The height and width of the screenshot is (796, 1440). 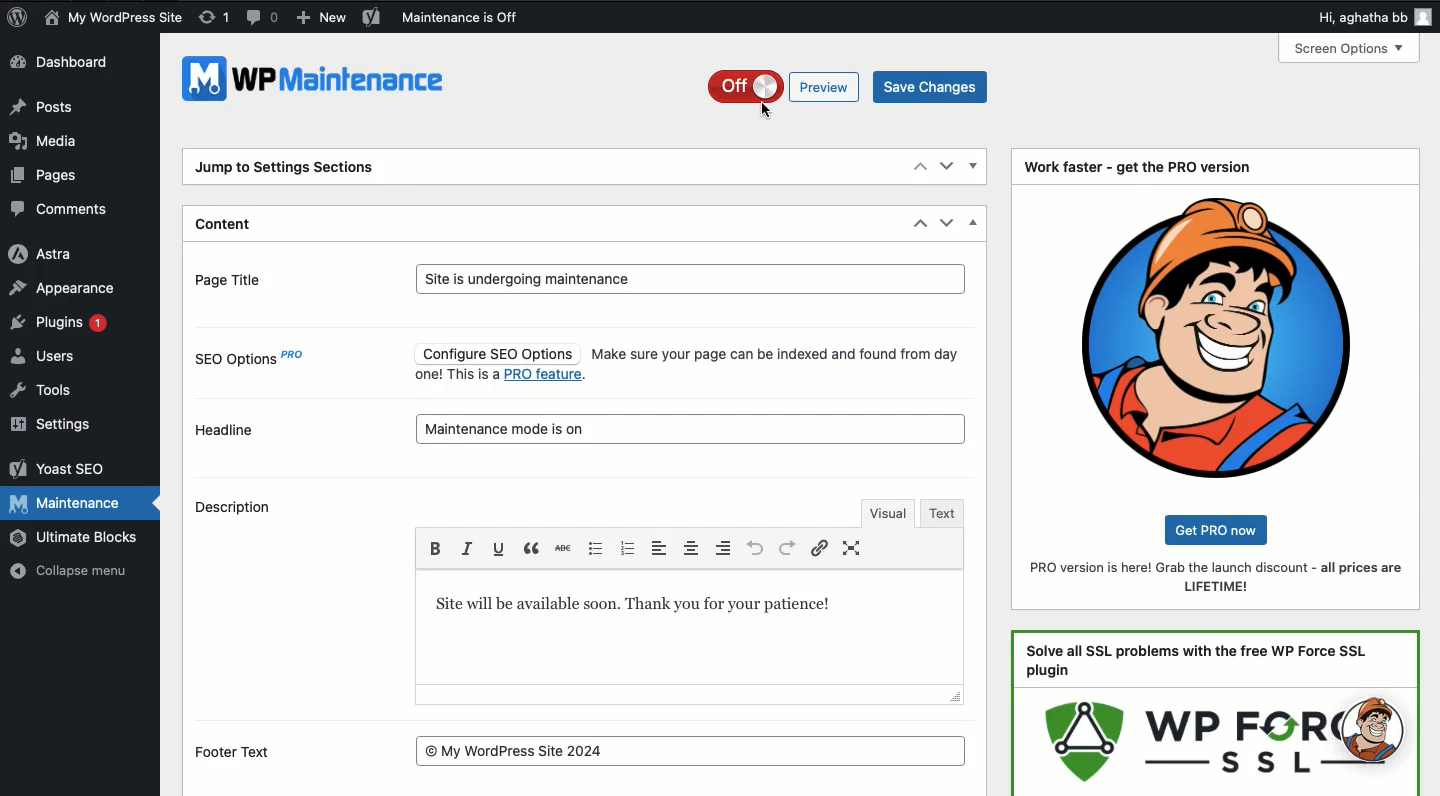 I want to click on Site is undergoing maintenance, so click(x=690, y=280).